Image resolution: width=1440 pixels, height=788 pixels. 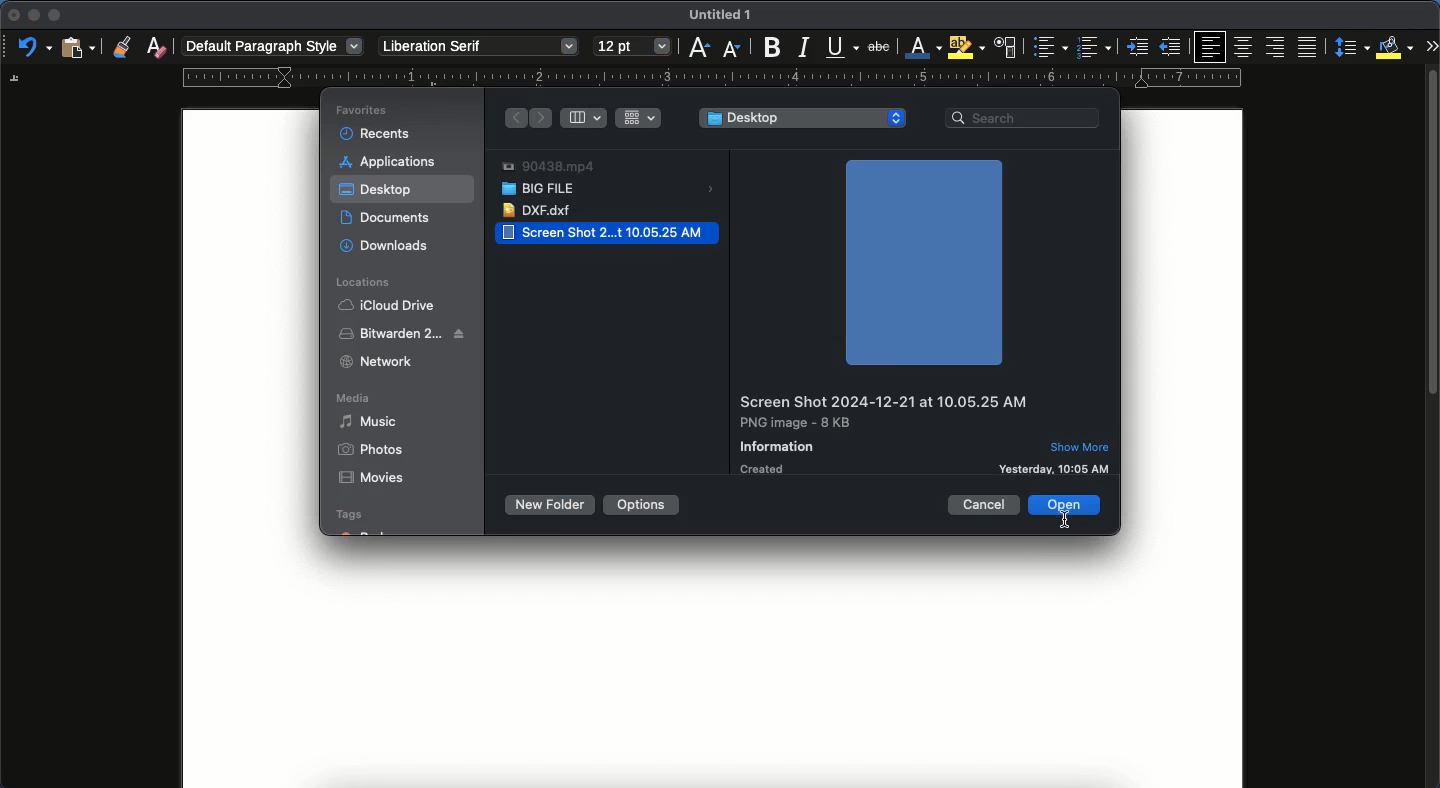 What do you see at coordinates (541, 210) in the screenshot?
I see `dxf` at bounding box center [541, 210].